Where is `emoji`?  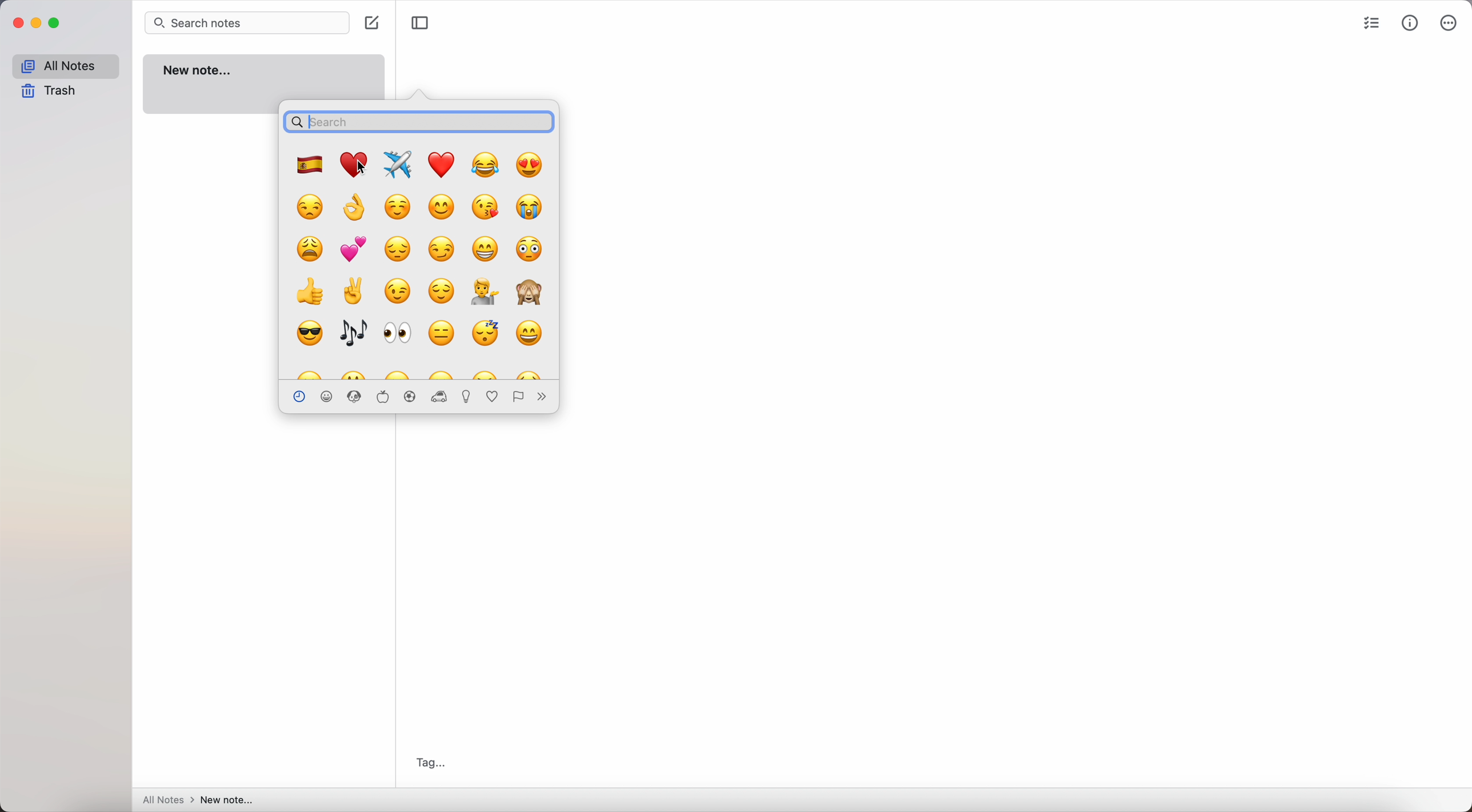
emoji is located at coordinates (356, 210).